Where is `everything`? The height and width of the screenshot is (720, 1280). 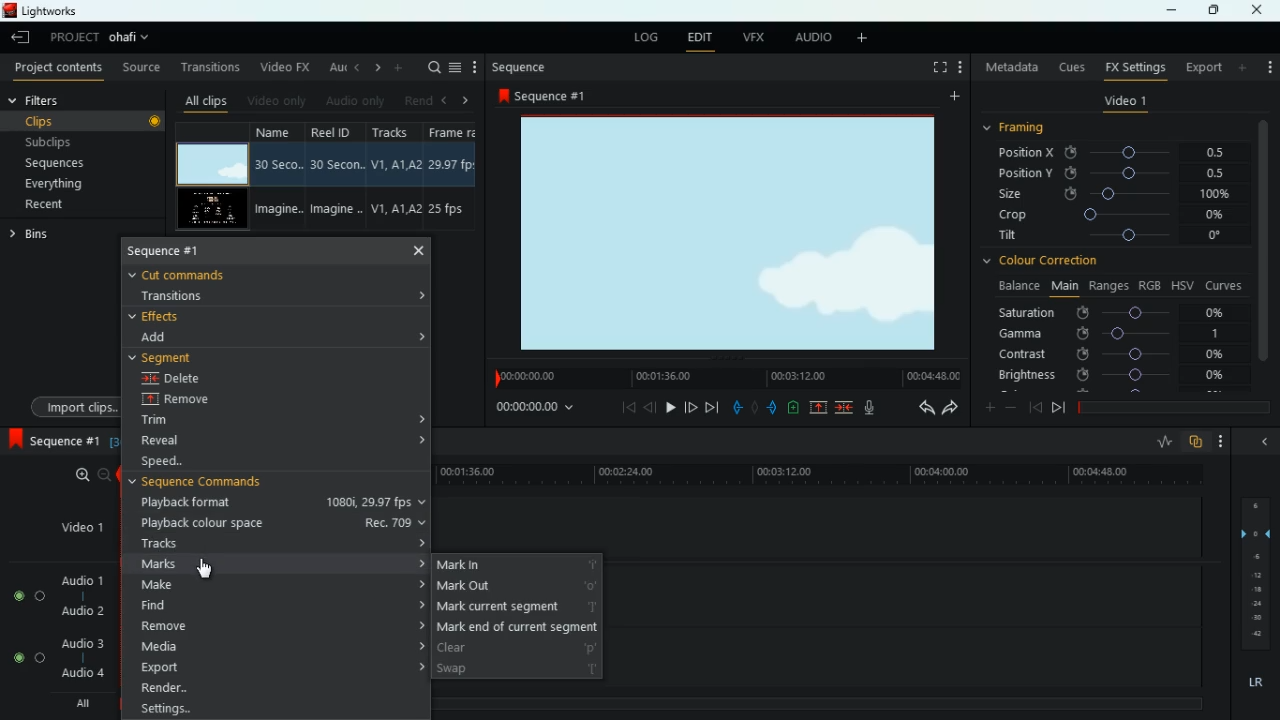
everything is located at coordinates (57, 186).